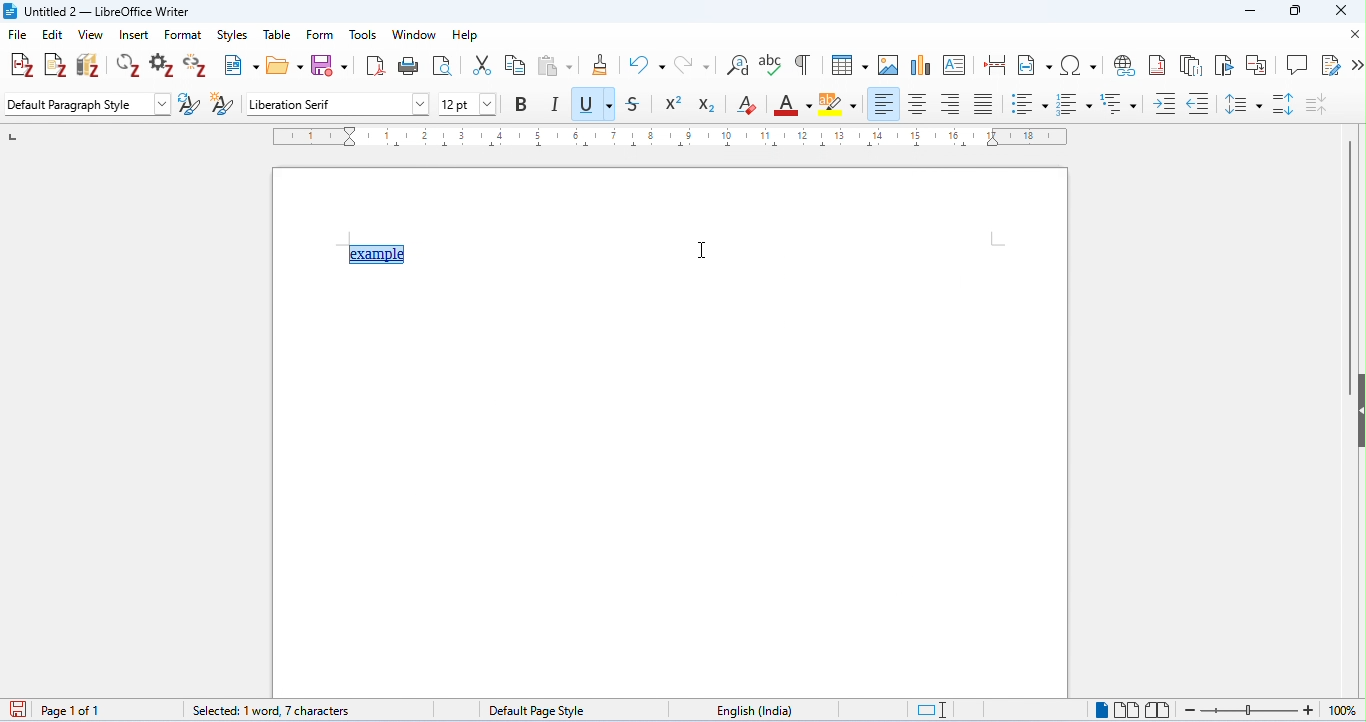  What do you see at coordinates (443, 65) in the screenshot?
I see `toggle print preview` at bounding box center [443, 65].